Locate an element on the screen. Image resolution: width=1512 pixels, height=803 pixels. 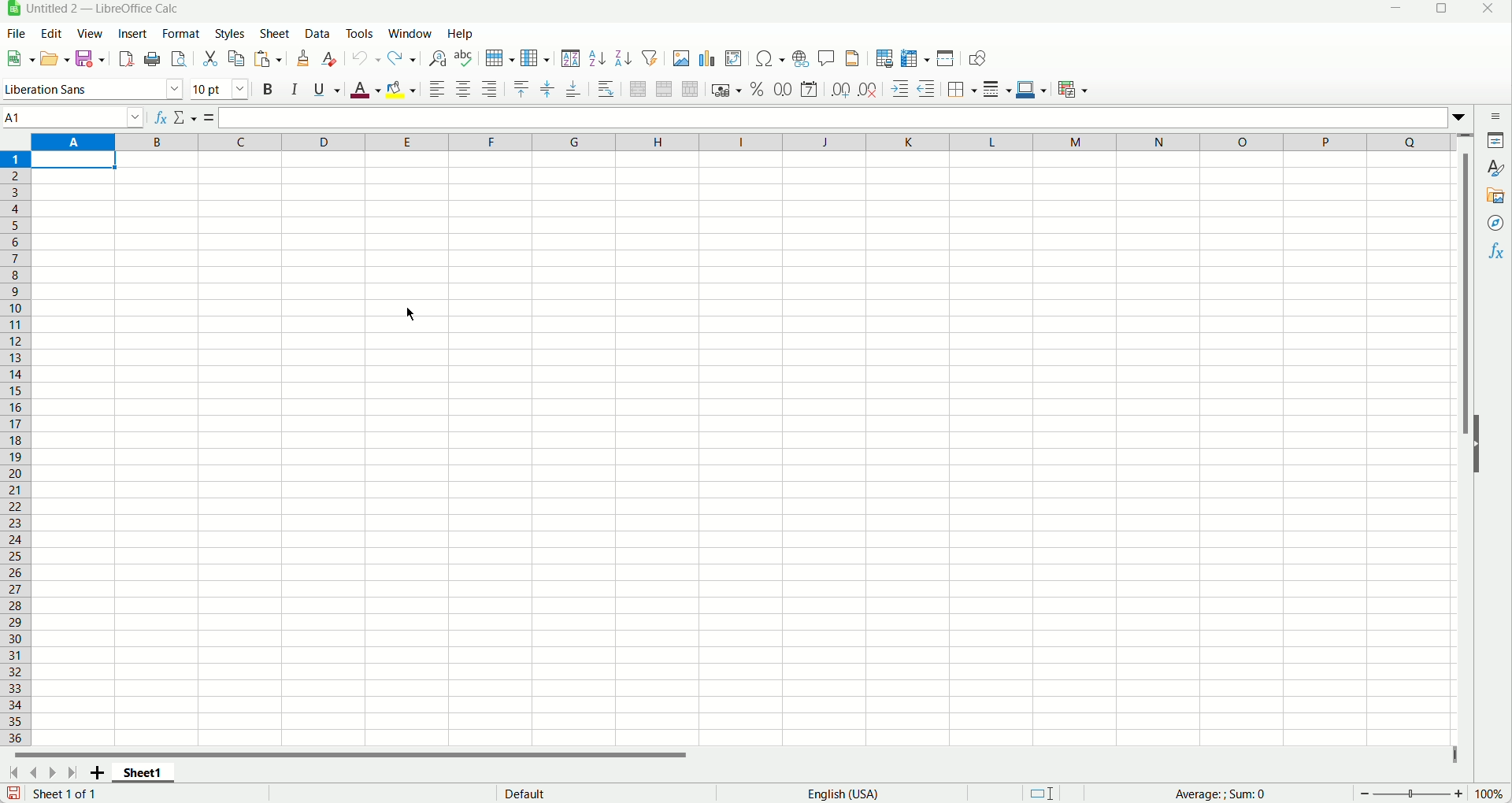
Border color is located at coordinates (1032, 91).